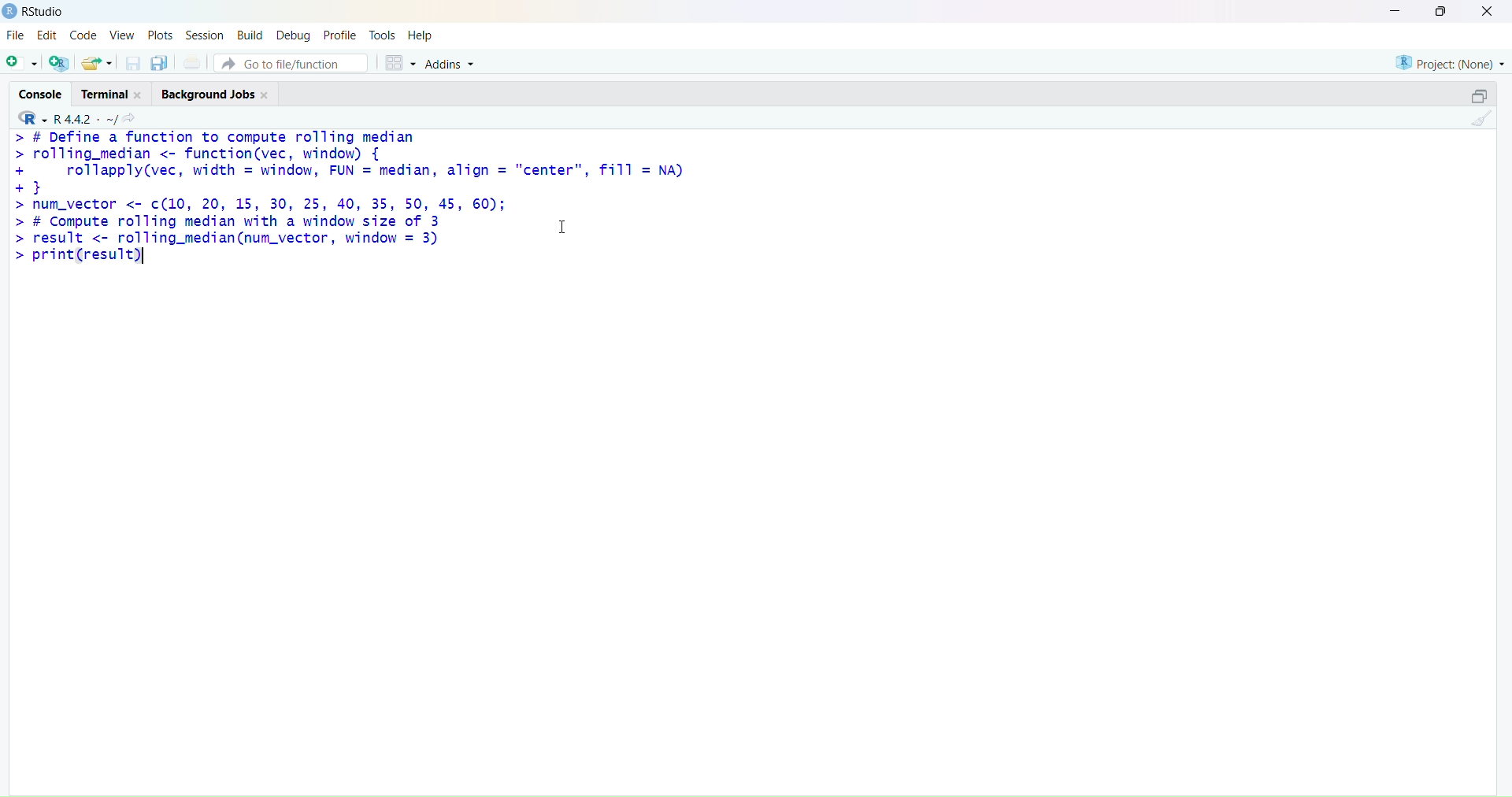 This screenshot has height=797, width=1512. Describe the element at coordinates (60, 64) in the screenshot. I see `add R file` at that location.